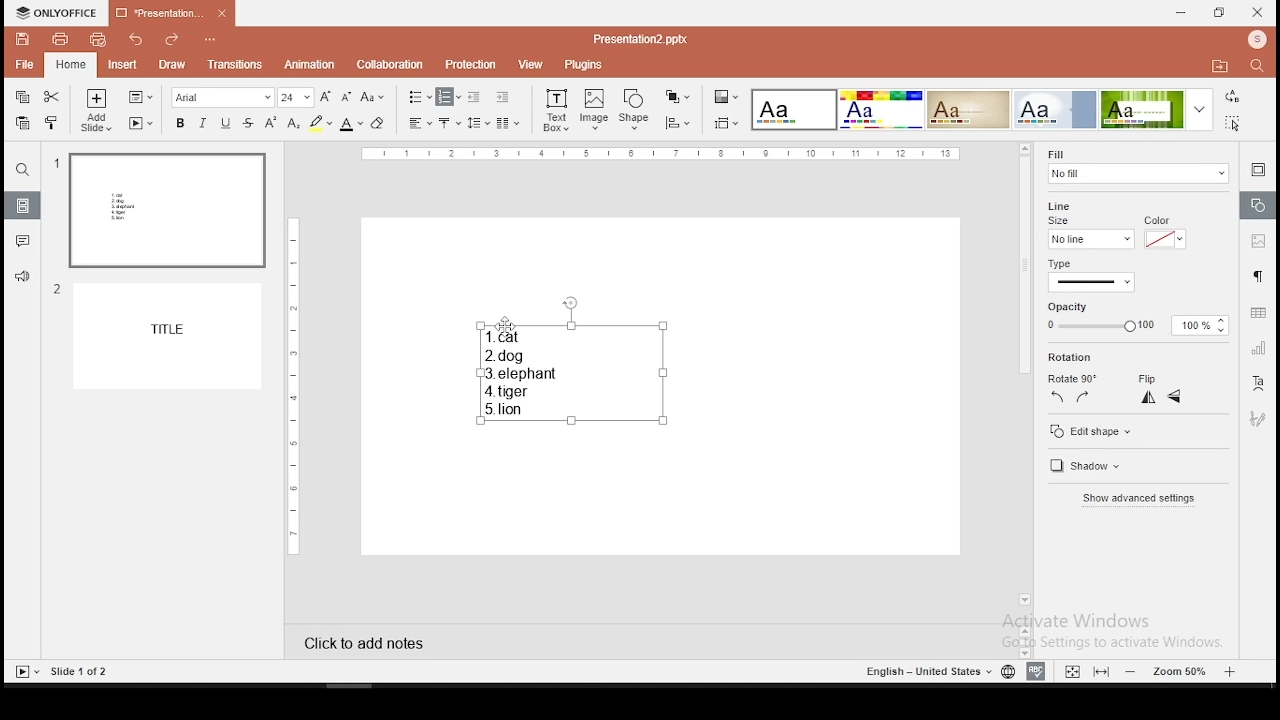 The height and width of the screenshot is (720, 1280). I want to click on fit to width, so click(1102, 672).